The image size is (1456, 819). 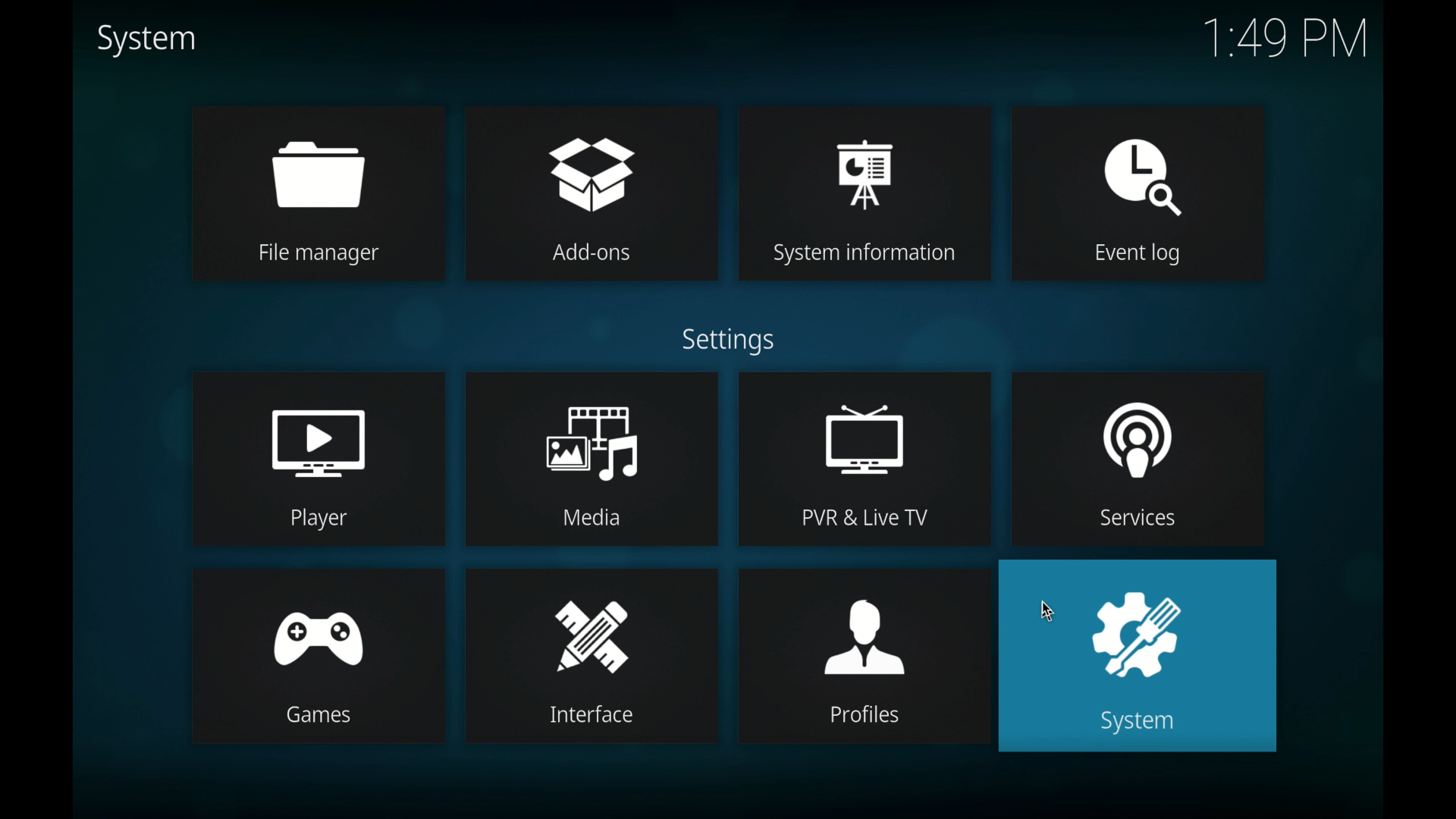 What do you see at coordinates (318, 655) in the screenshot?
I see `games` at bounding box center [318, 655].